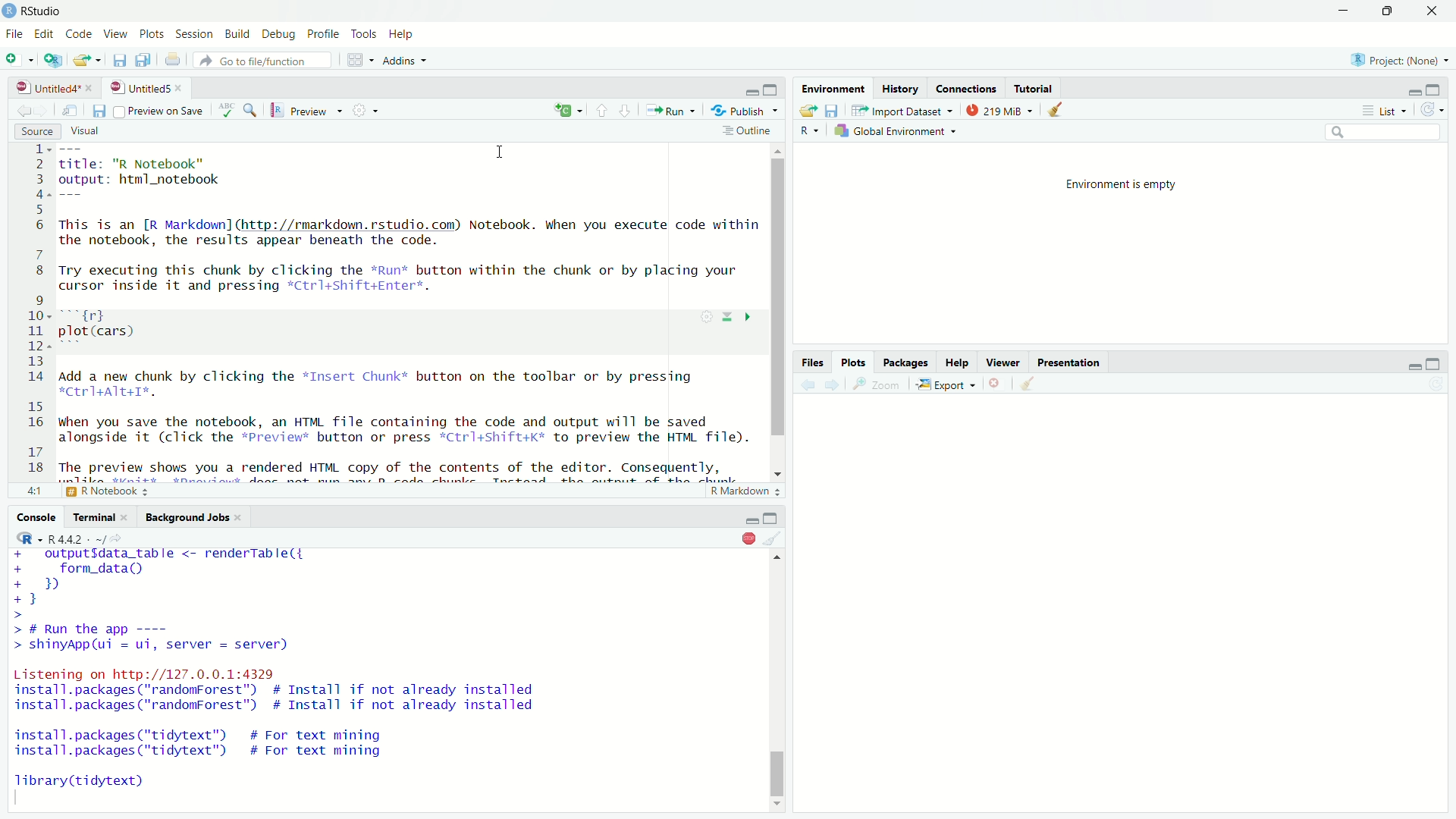 The height and width of the screenshot is (819, 1456). I want to click on Minimize, so click(1344, 11).